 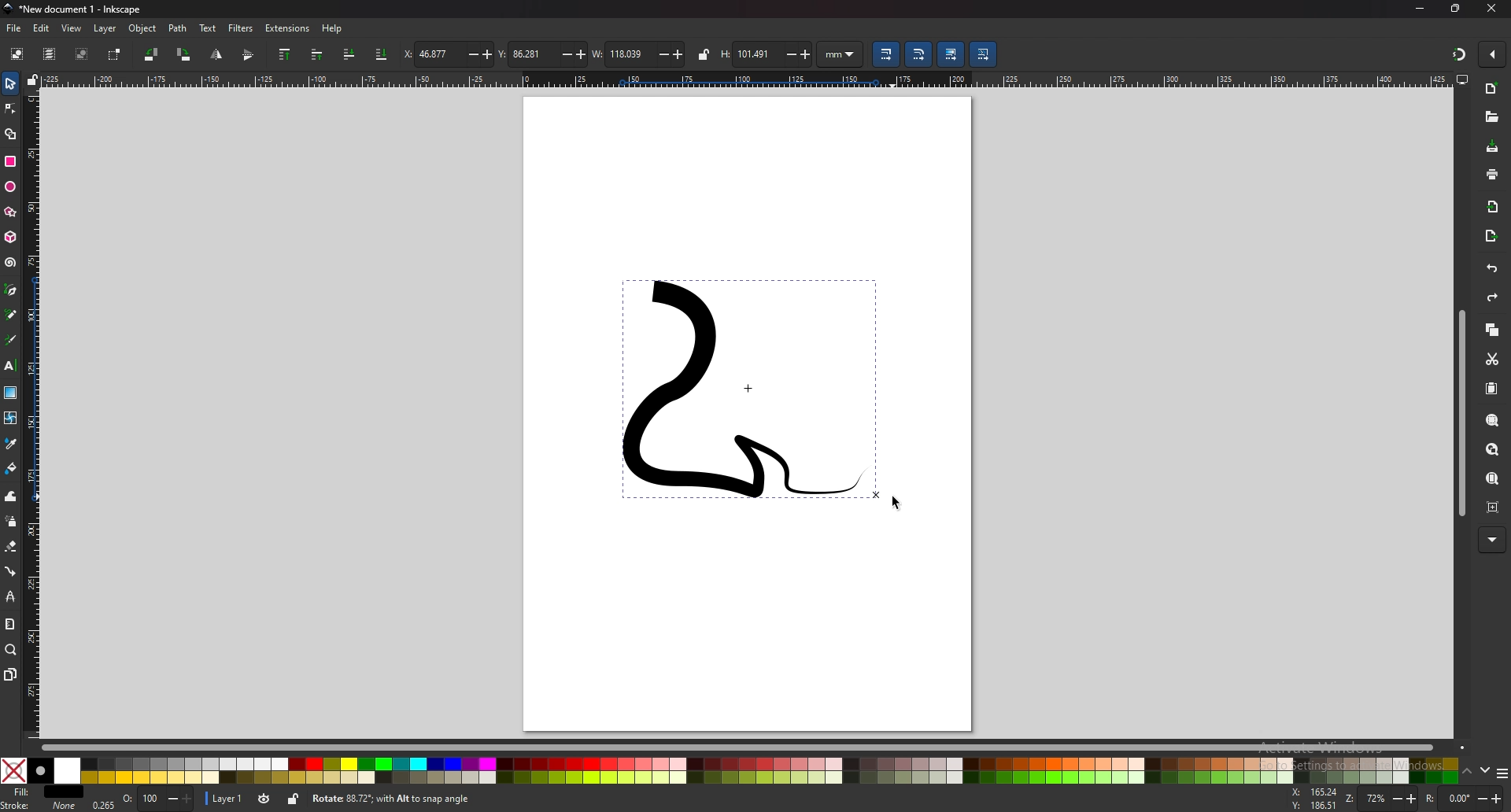 I want to click on ZOOM, so click(x=1383, y=798).